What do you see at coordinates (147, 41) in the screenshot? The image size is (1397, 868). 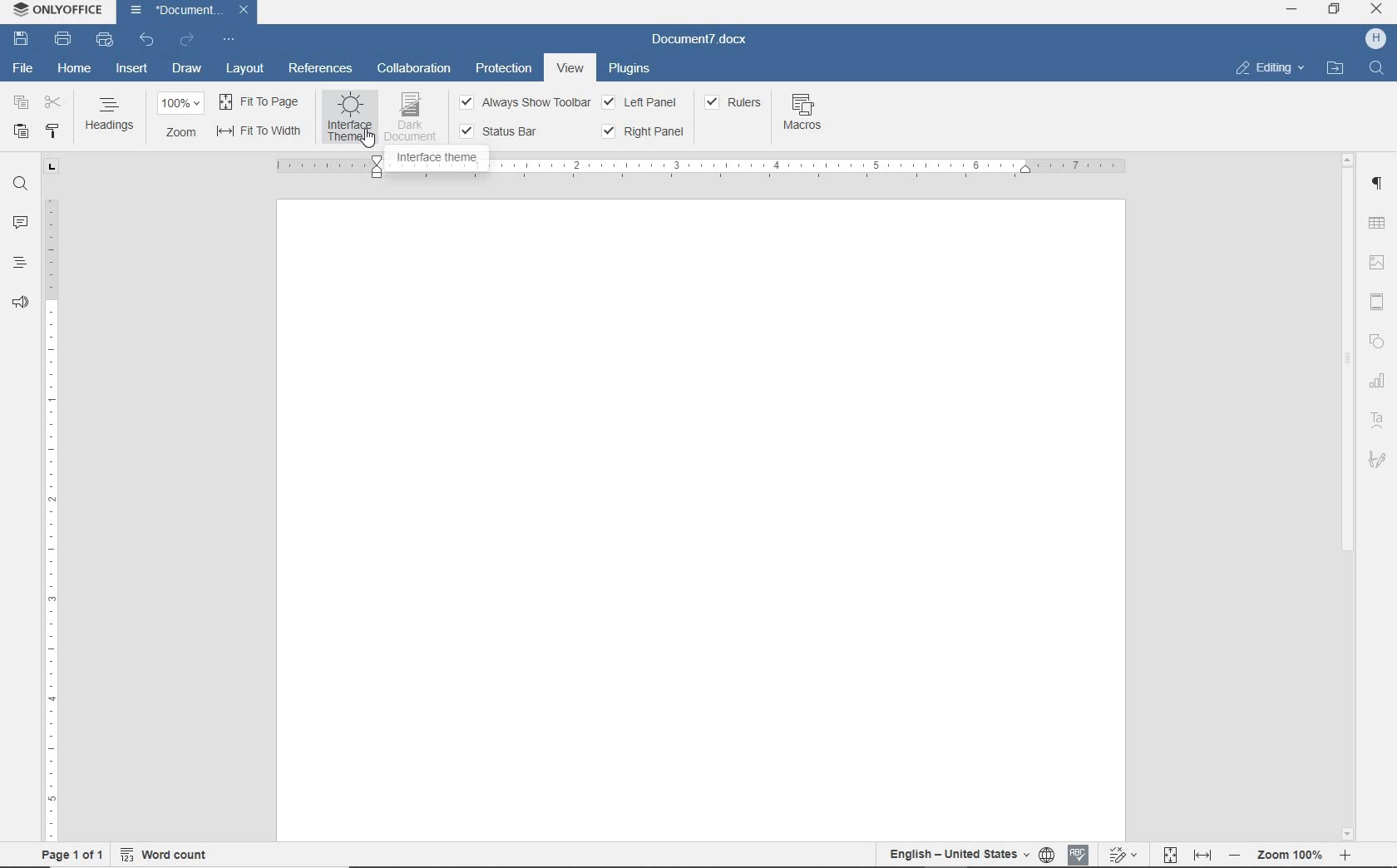 I see `UNDO` at bounding box center [147, 41].